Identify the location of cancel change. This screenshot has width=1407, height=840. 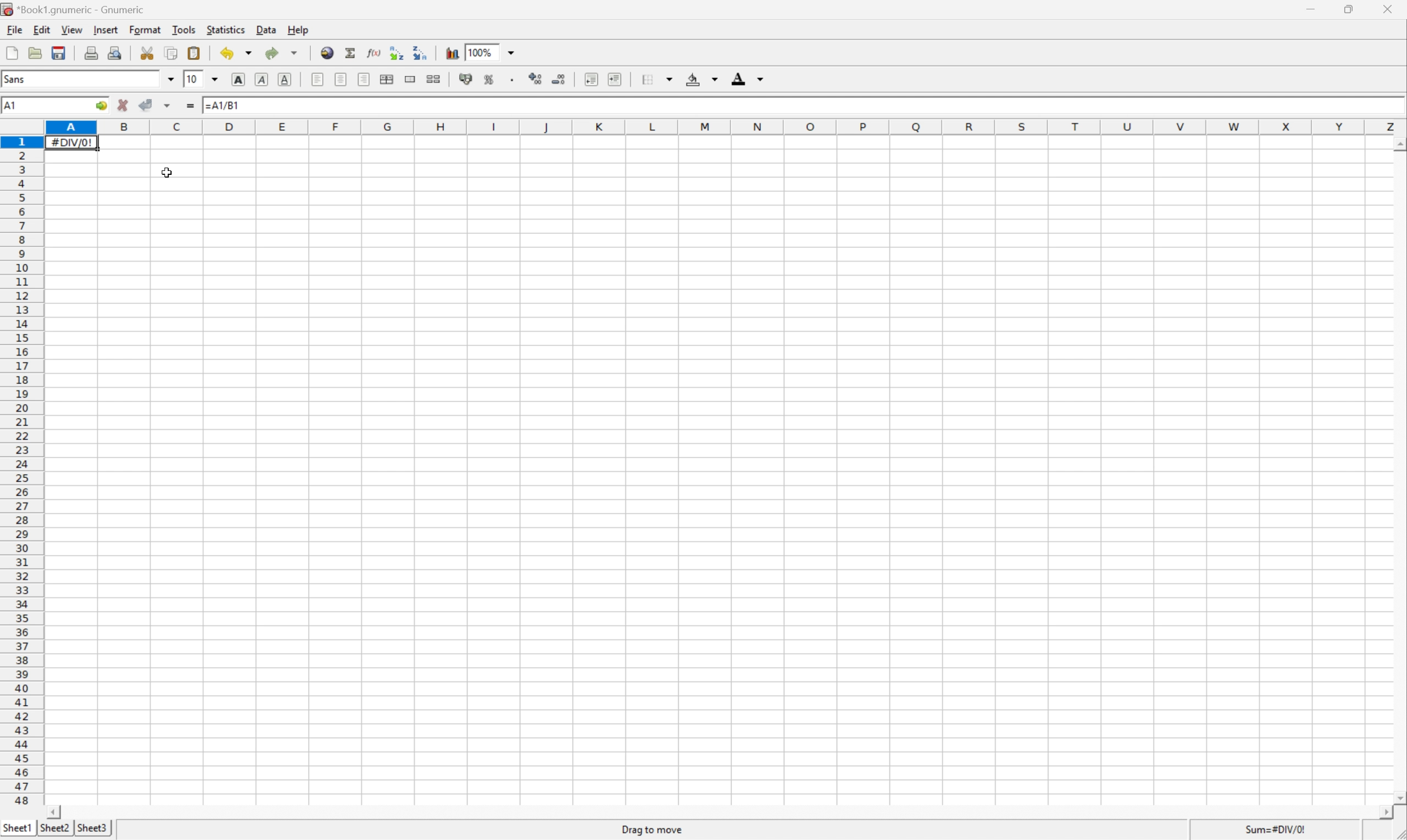
(124, 106).